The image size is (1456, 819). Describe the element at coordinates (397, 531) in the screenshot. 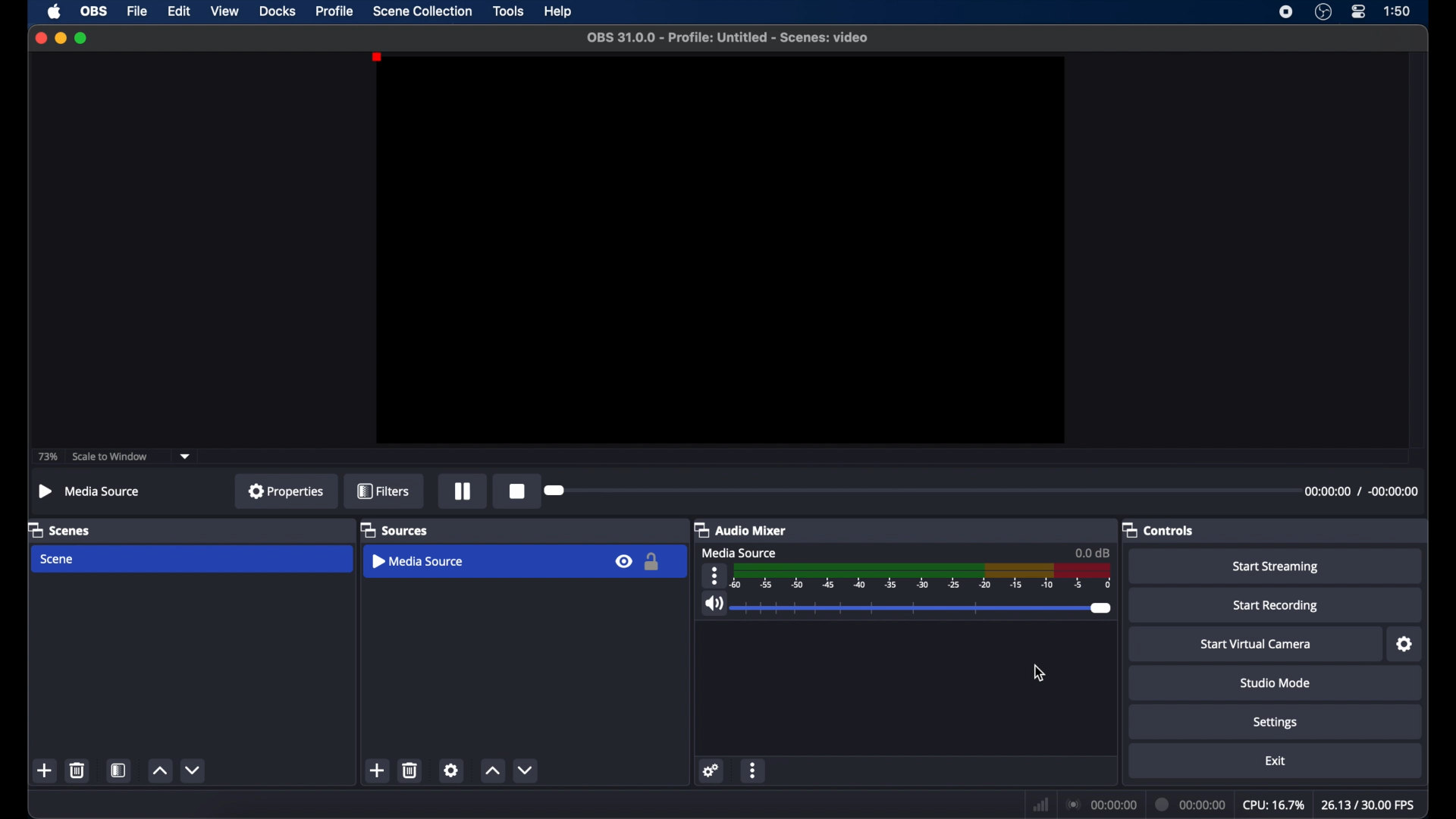

I see `Sources` at that location.